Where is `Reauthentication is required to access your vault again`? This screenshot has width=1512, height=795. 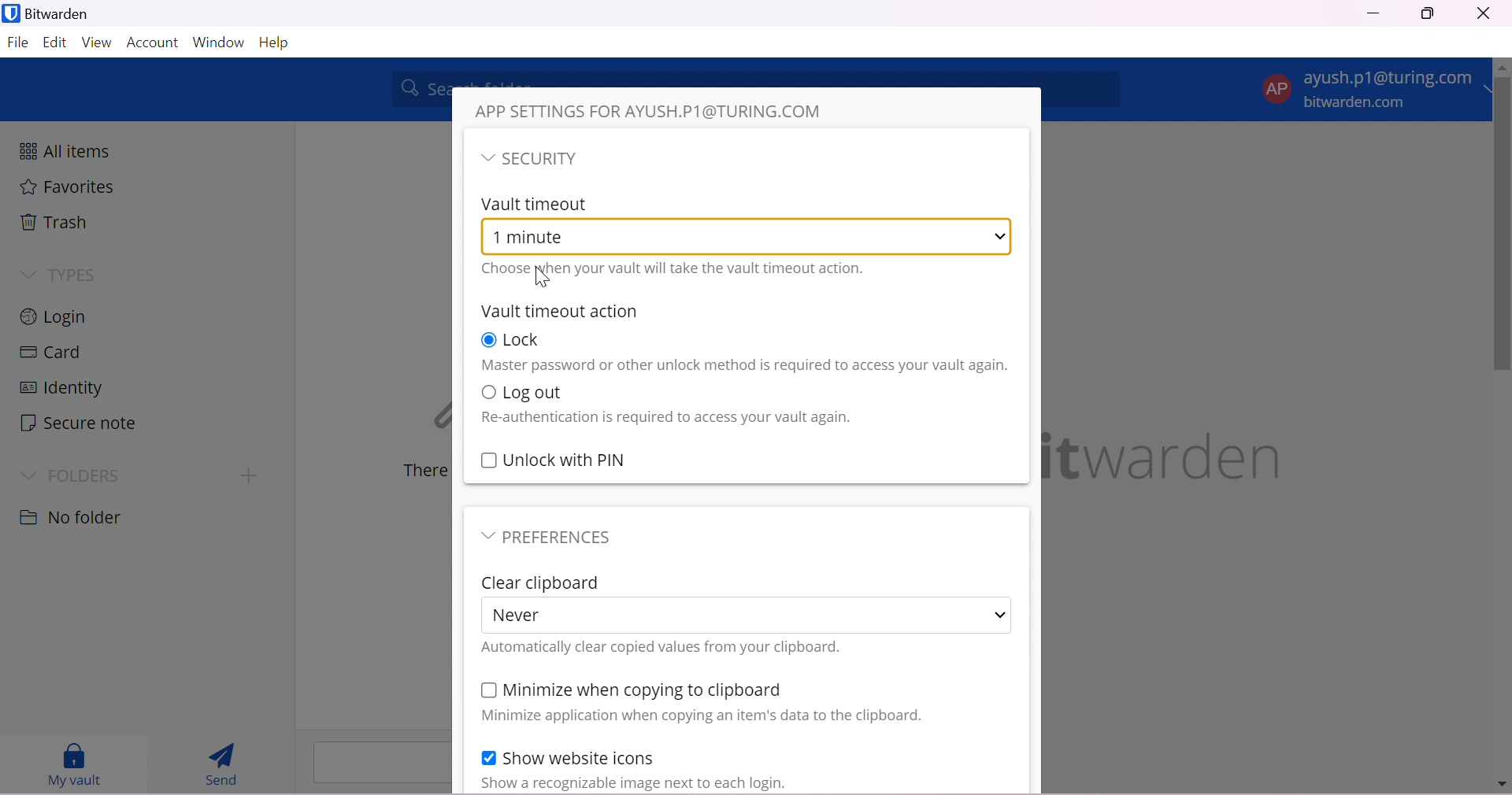
Reauthentication is required to access your vault again is located at coordinates (665, 418).